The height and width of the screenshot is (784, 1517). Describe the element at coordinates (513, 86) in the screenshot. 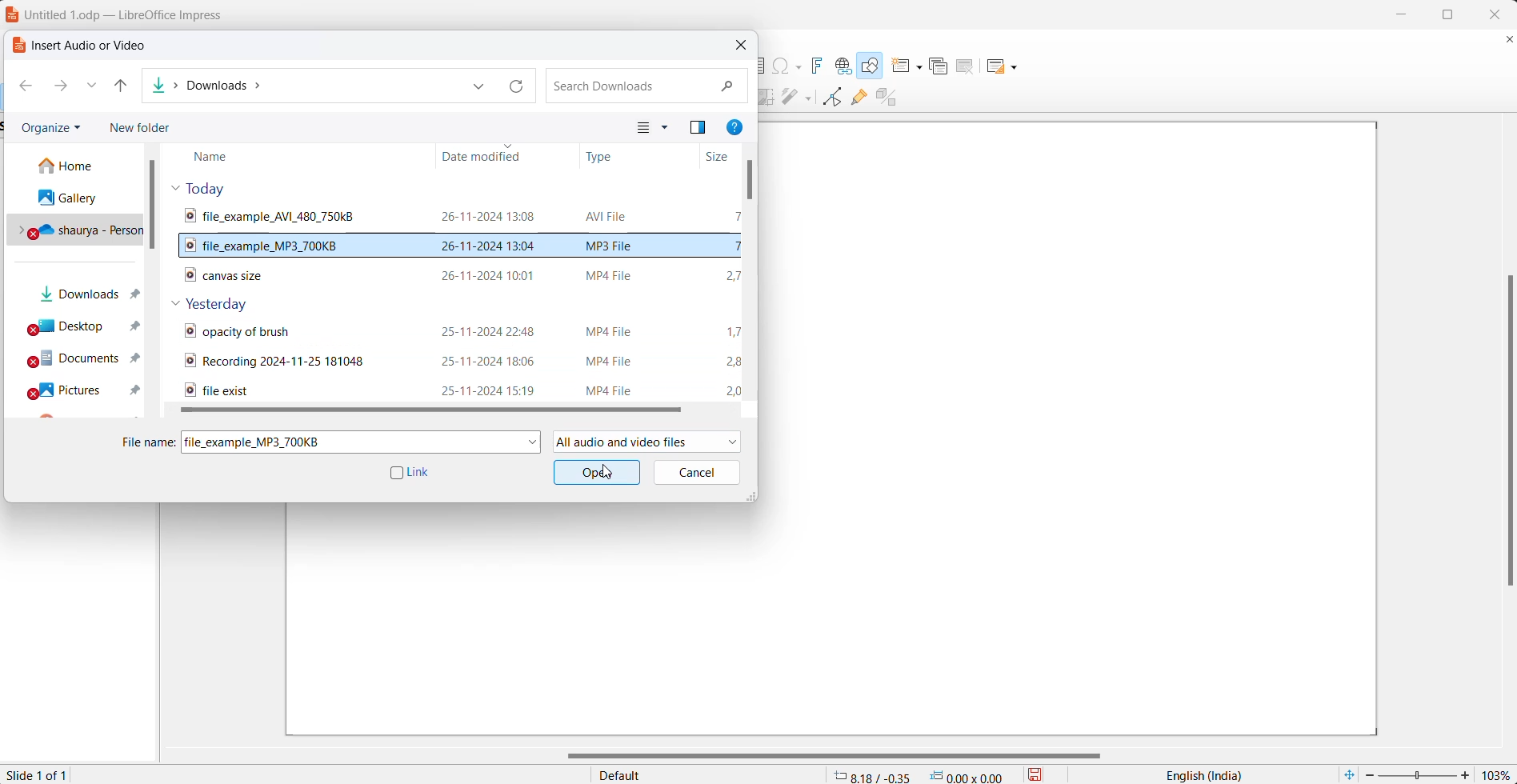

I see `refresh` at that location.